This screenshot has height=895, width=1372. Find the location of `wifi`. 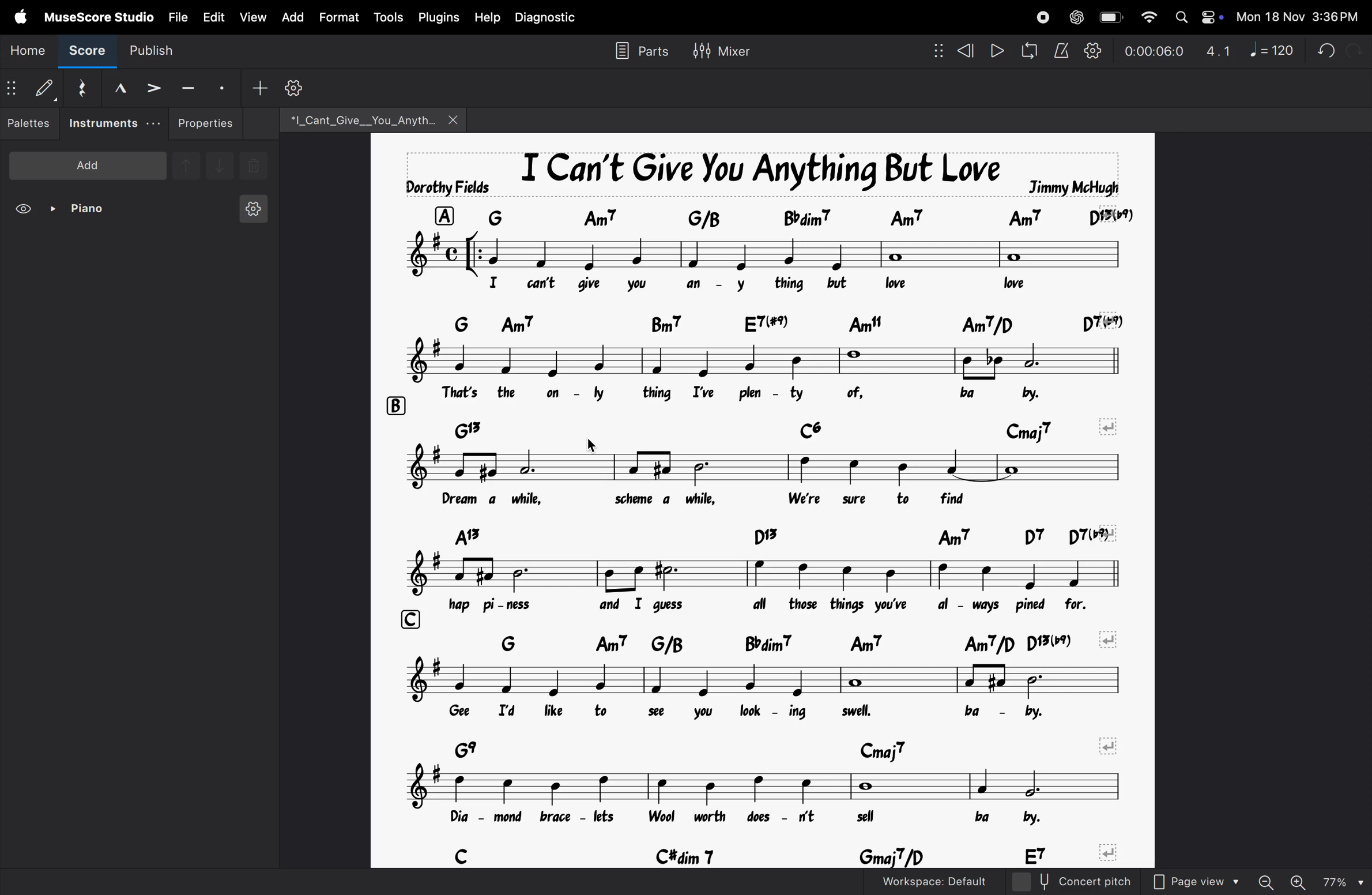

wifi is located at coordinates (1146, 18).